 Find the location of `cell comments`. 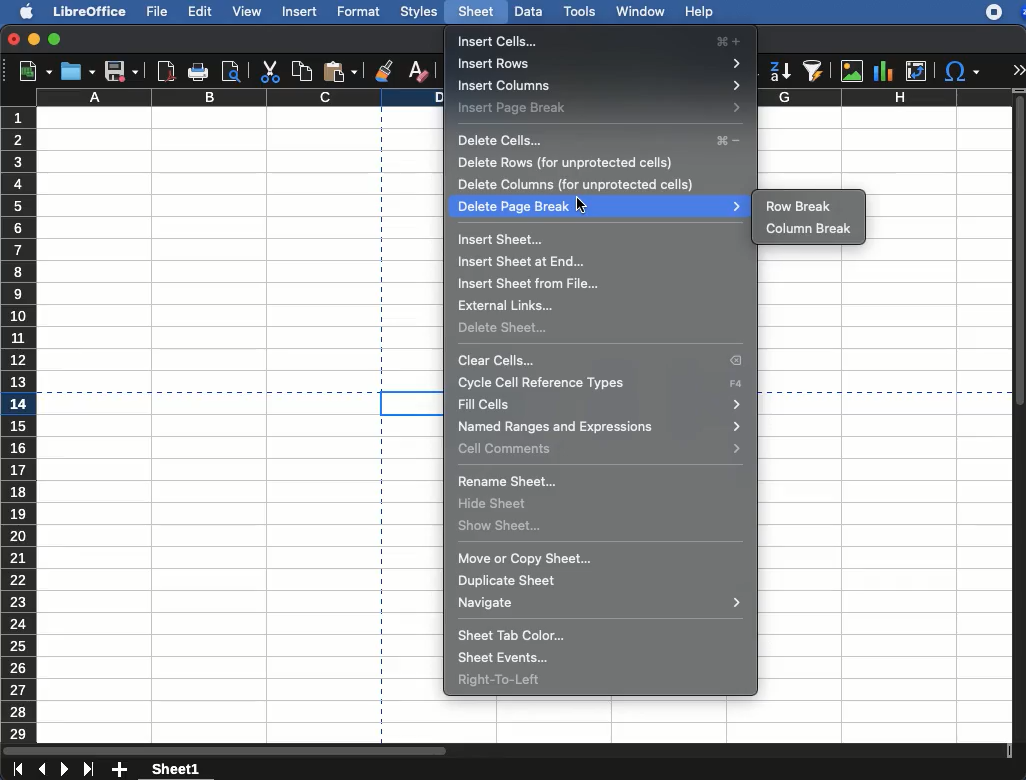

cell comments is located at coordinates (603, 448).